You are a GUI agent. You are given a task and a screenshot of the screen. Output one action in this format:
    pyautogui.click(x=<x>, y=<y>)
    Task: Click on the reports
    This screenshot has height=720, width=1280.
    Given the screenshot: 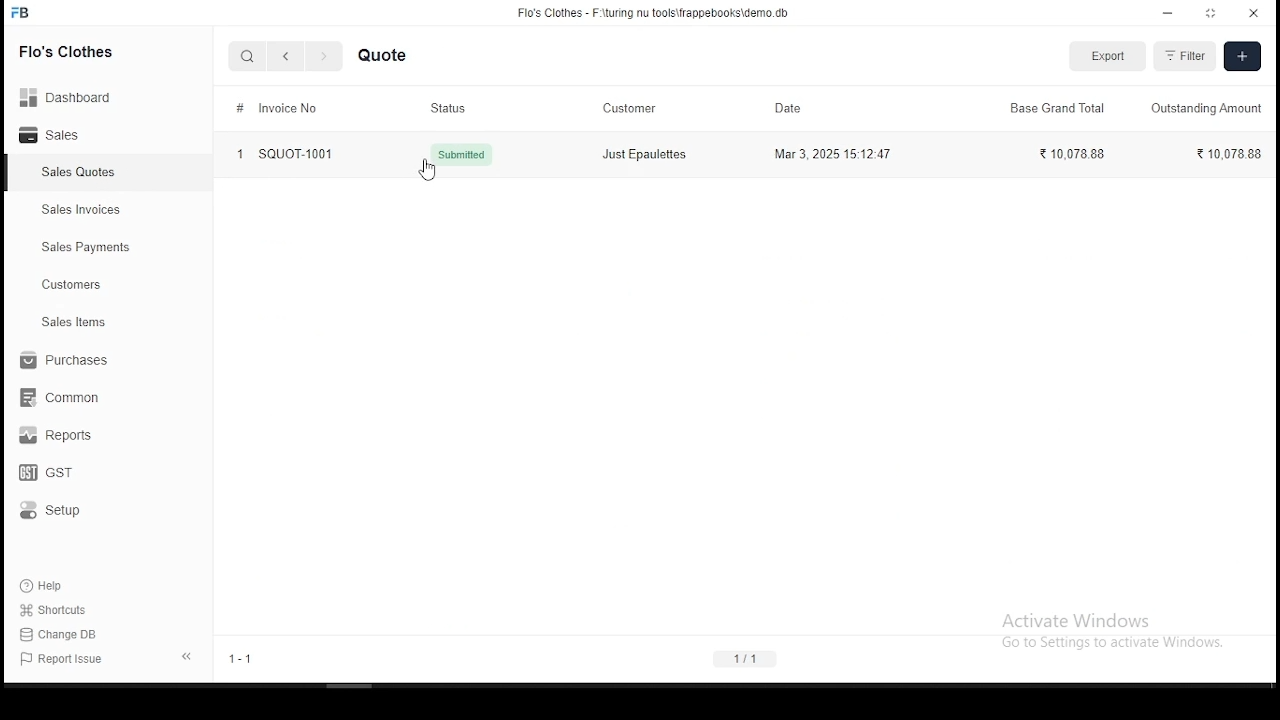 What is the action you would take?
    pyautogui.click(x=58, y=437)
    